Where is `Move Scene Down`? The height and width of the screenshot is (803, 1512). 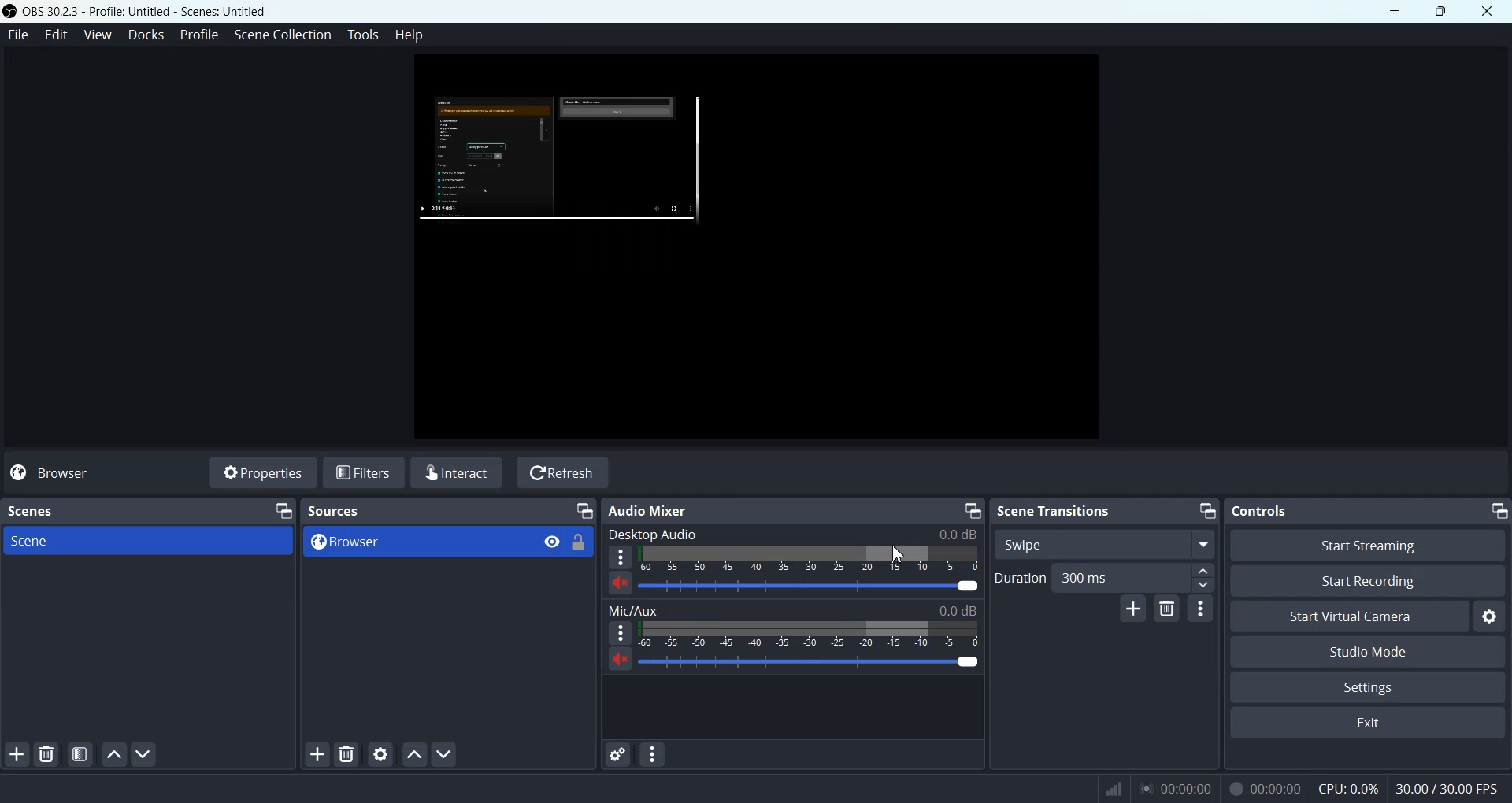
Move Scene Down is located at coordinates (145, 754).